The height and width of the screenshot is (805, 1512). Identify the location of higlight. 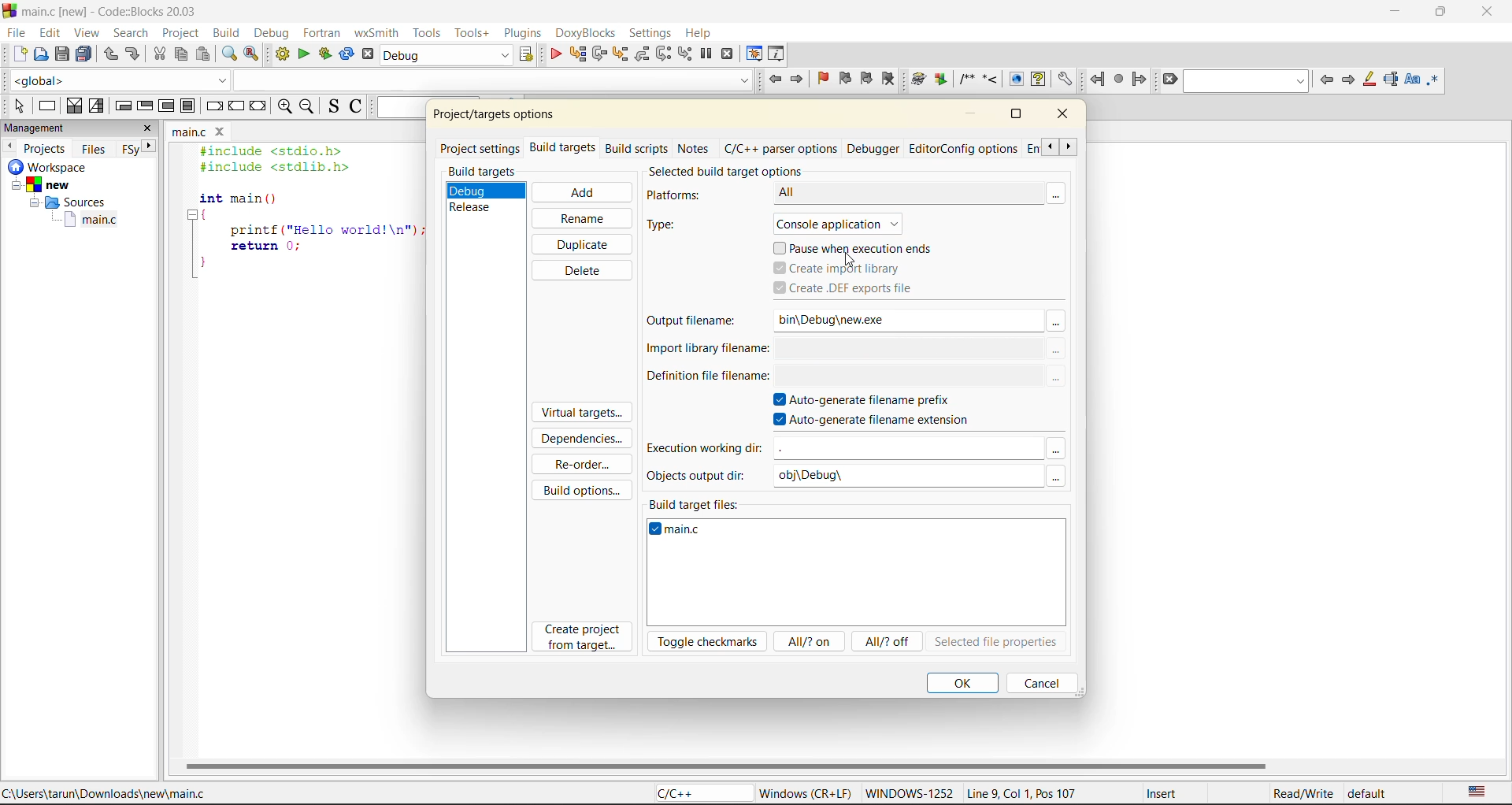
(1370, 80).